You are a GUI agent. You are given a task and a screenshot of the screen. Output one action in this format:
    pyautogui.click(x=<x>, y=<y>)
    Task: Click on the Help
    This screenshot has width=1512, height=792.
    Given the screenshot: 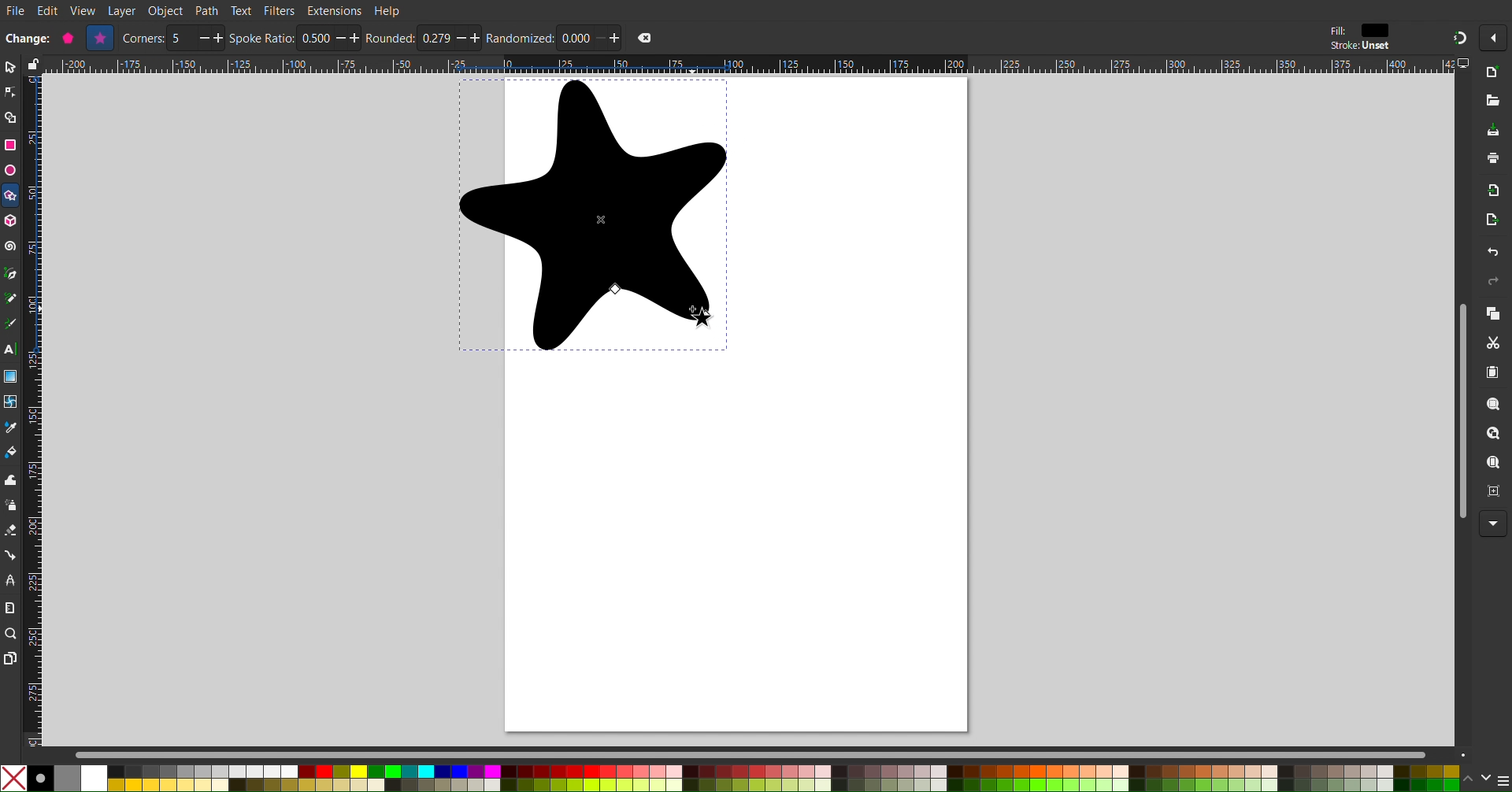 What is the action you would take?
    pyautogui.click(x=388, y=10)
    